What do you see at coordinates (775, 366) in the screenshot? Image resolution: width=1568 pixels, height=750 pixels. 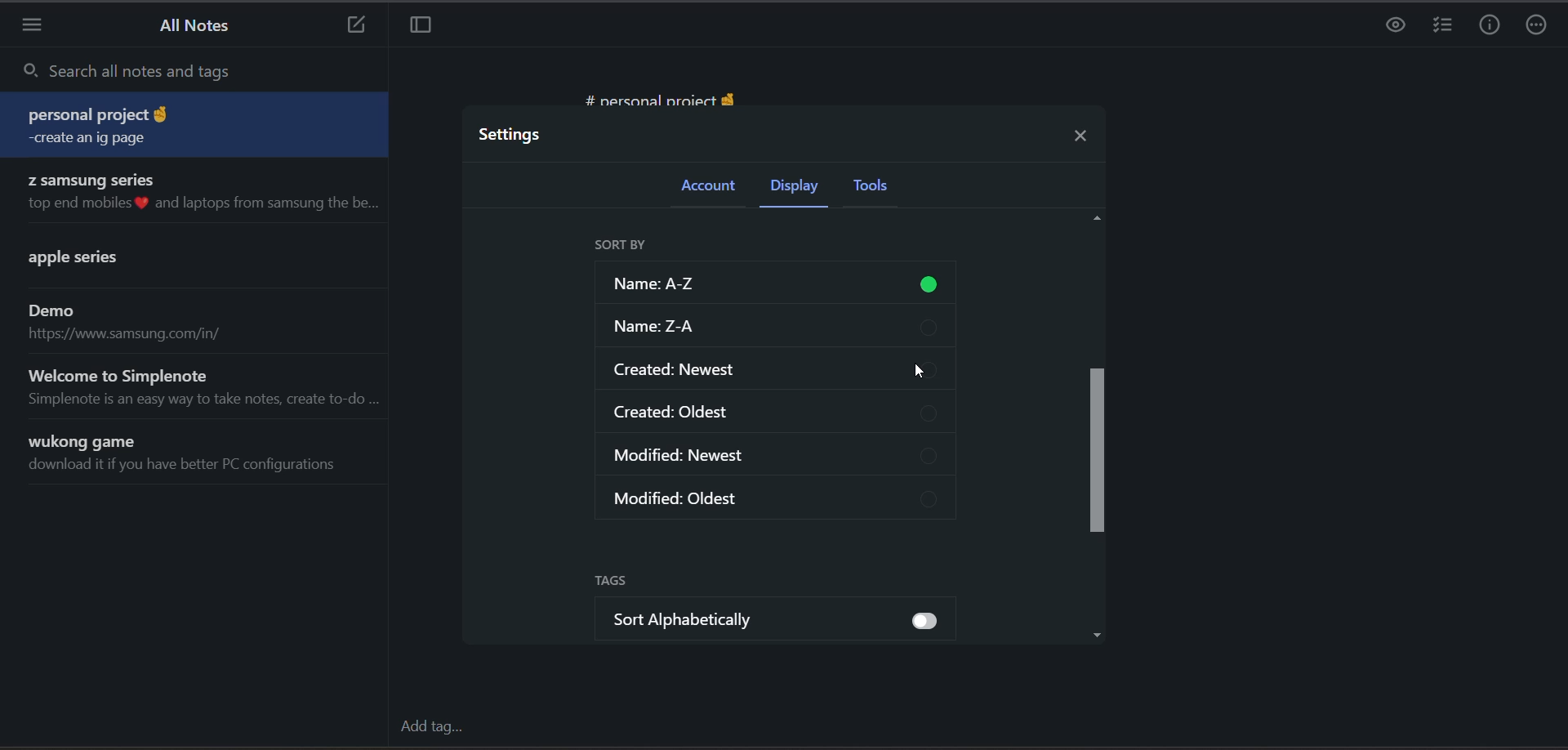 I see `created newest` at bounding box center [775, 366].